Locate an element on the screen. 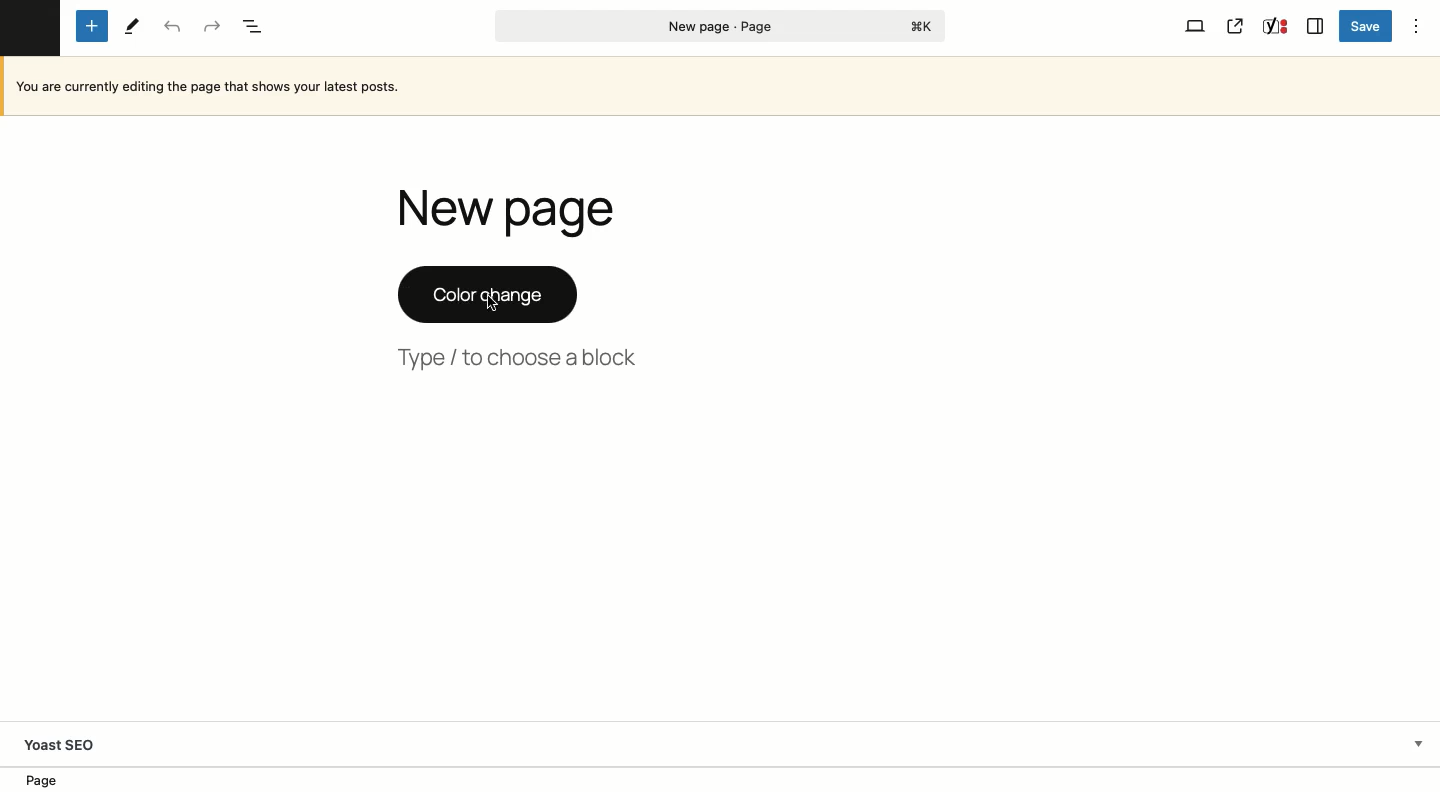 This screenshot has width=1440, height=792. Color change button is located at coordinates (485, 295).